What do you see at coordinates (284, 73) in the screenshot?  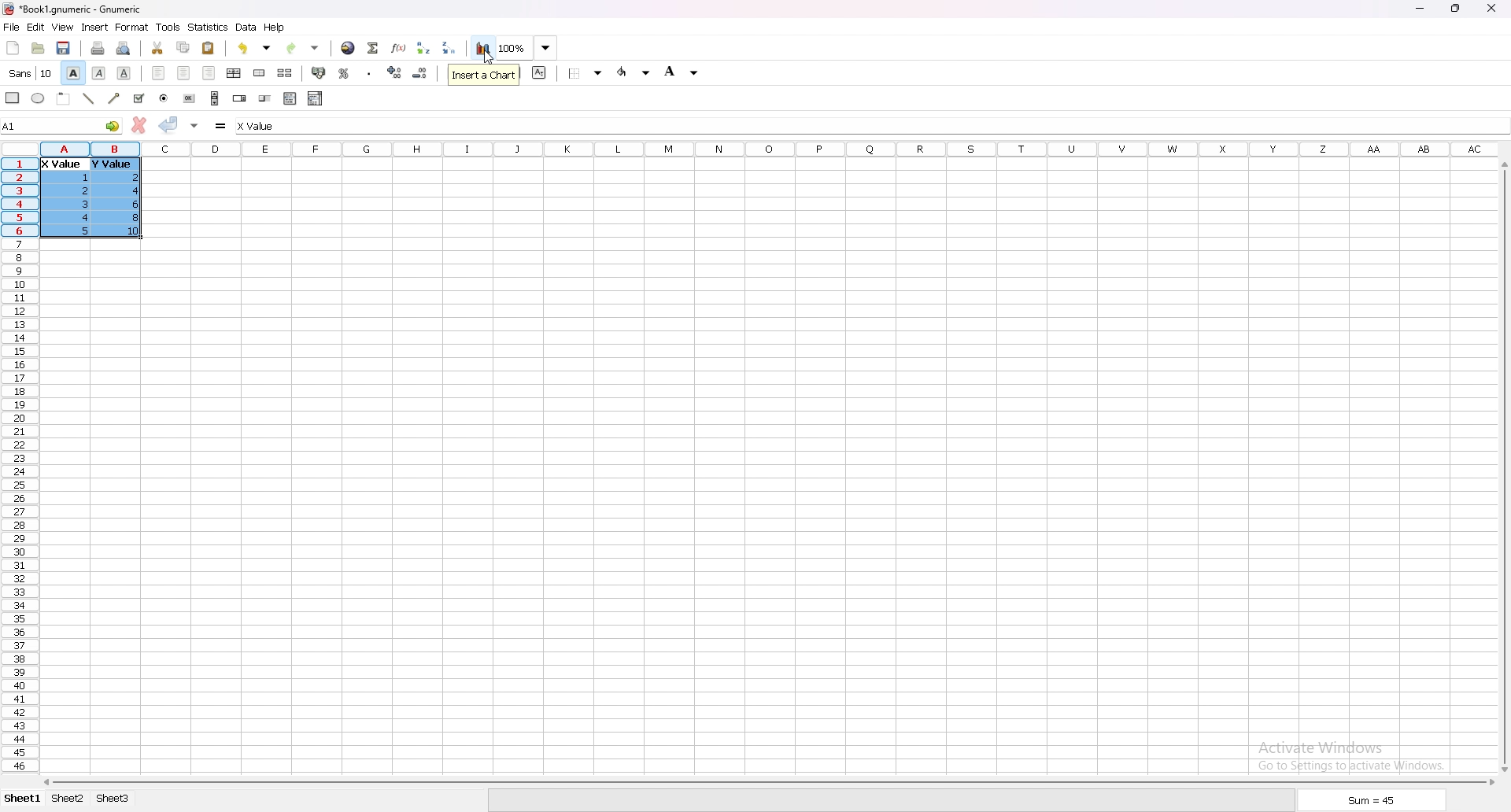 I see `split merged cells` at bounding box center [284, 73].